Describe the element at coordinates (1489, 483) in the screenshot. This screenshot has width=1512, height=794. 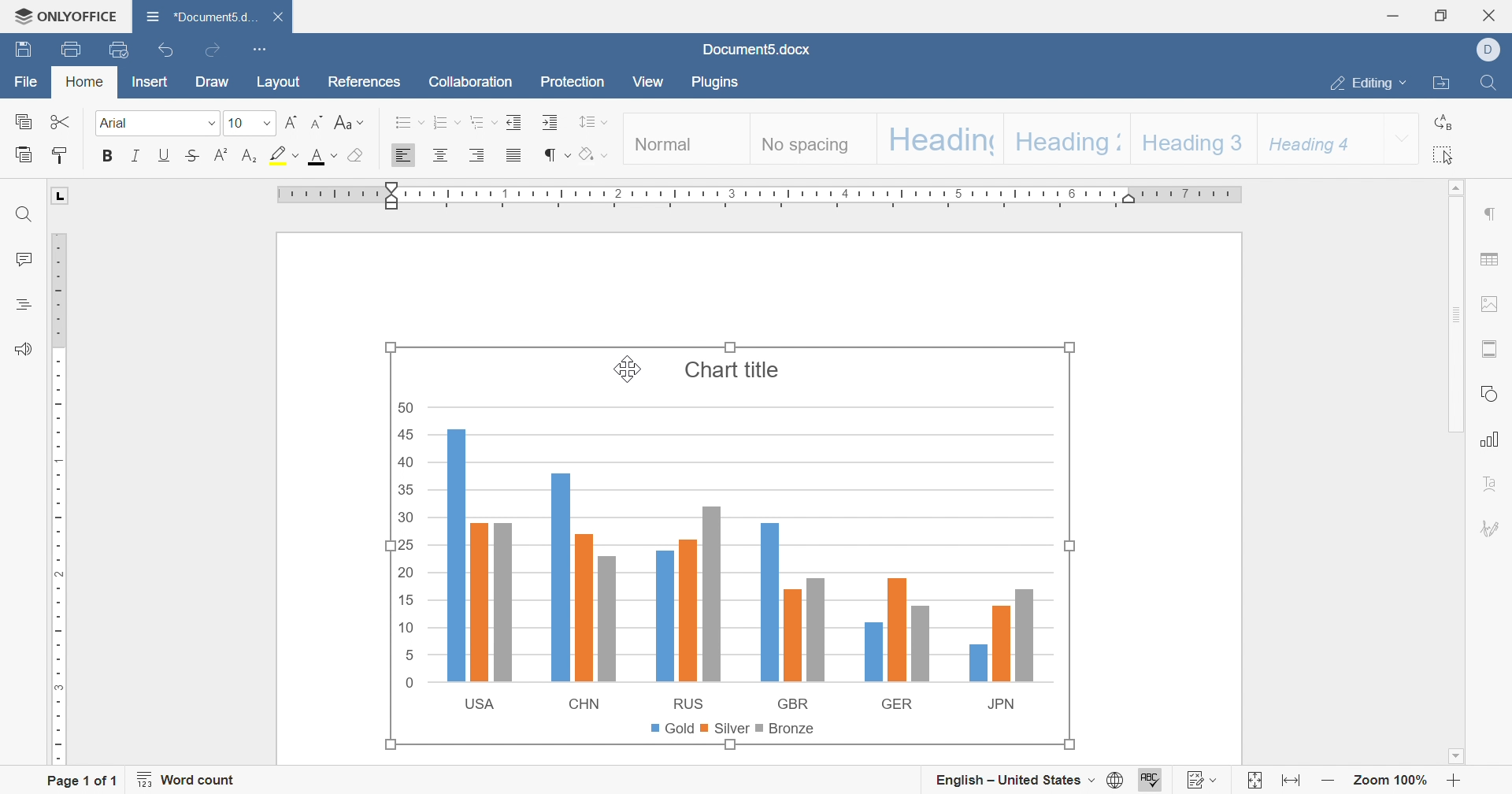
I see `text art settings` at that location.